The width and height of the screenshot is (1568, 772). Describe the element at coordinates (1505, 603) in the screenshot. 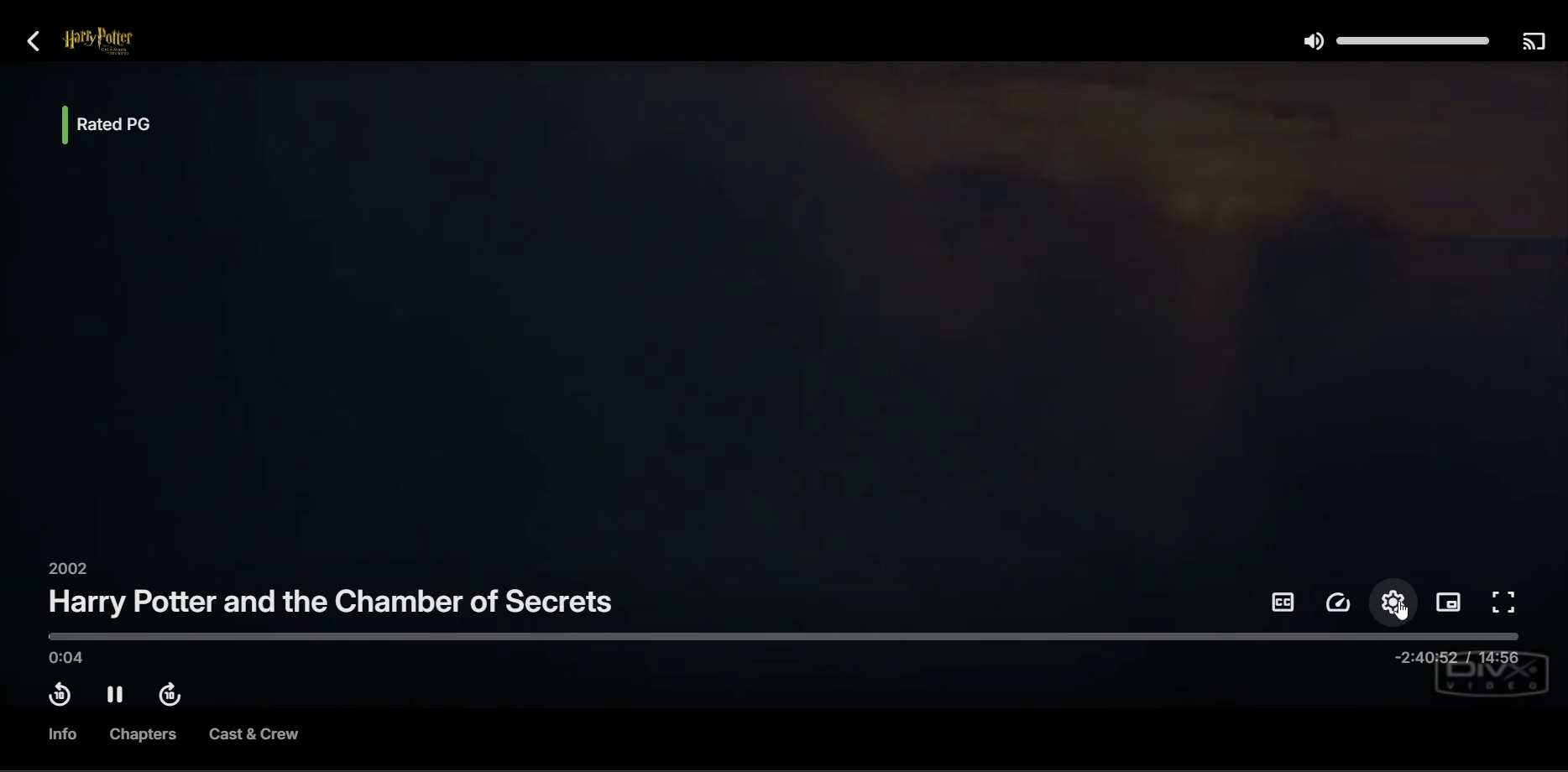

I see `Fullscreen` at that location.